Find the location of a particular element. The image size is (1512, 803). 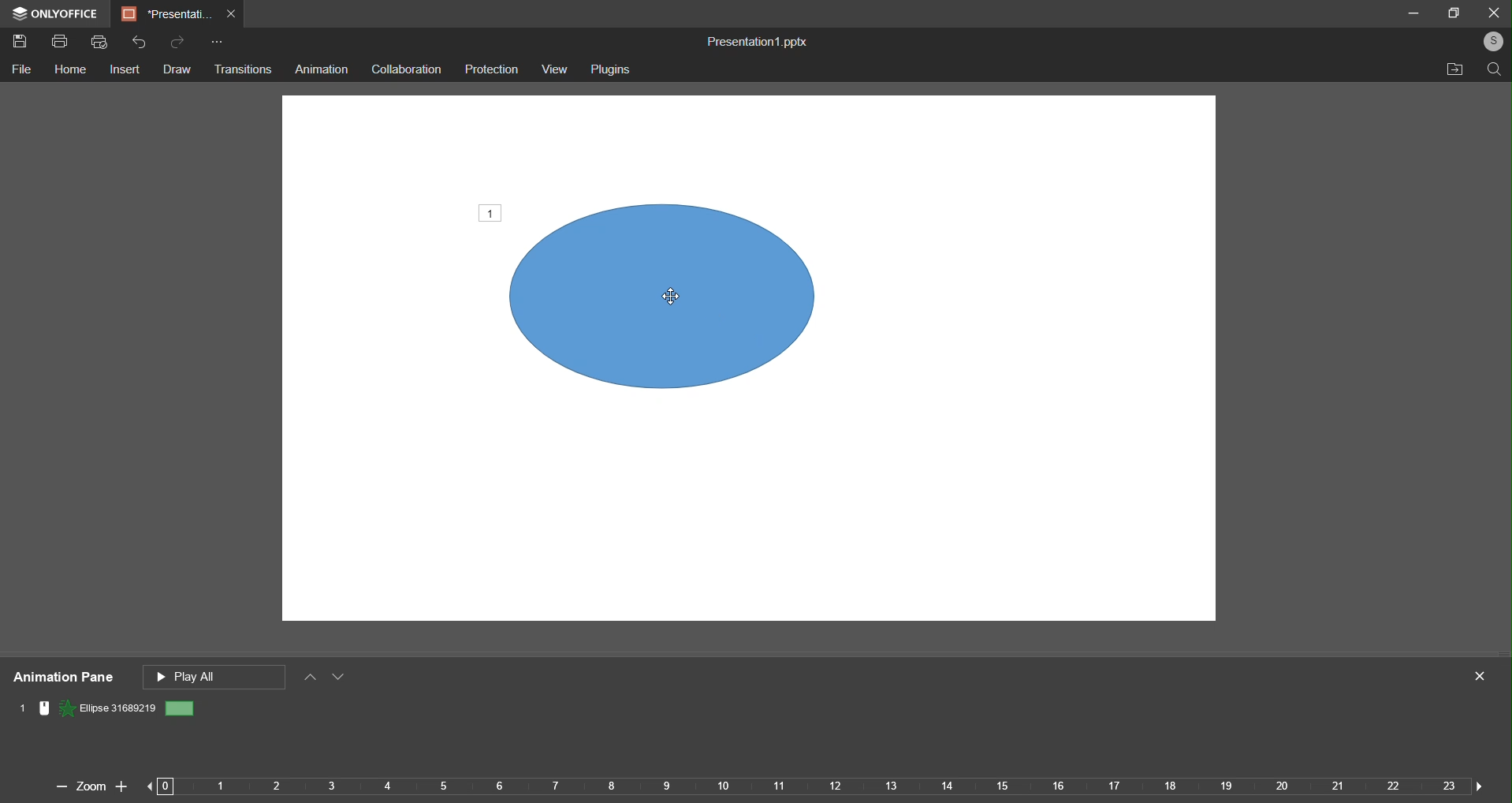

zoom out is located at coordinates (57, 788).